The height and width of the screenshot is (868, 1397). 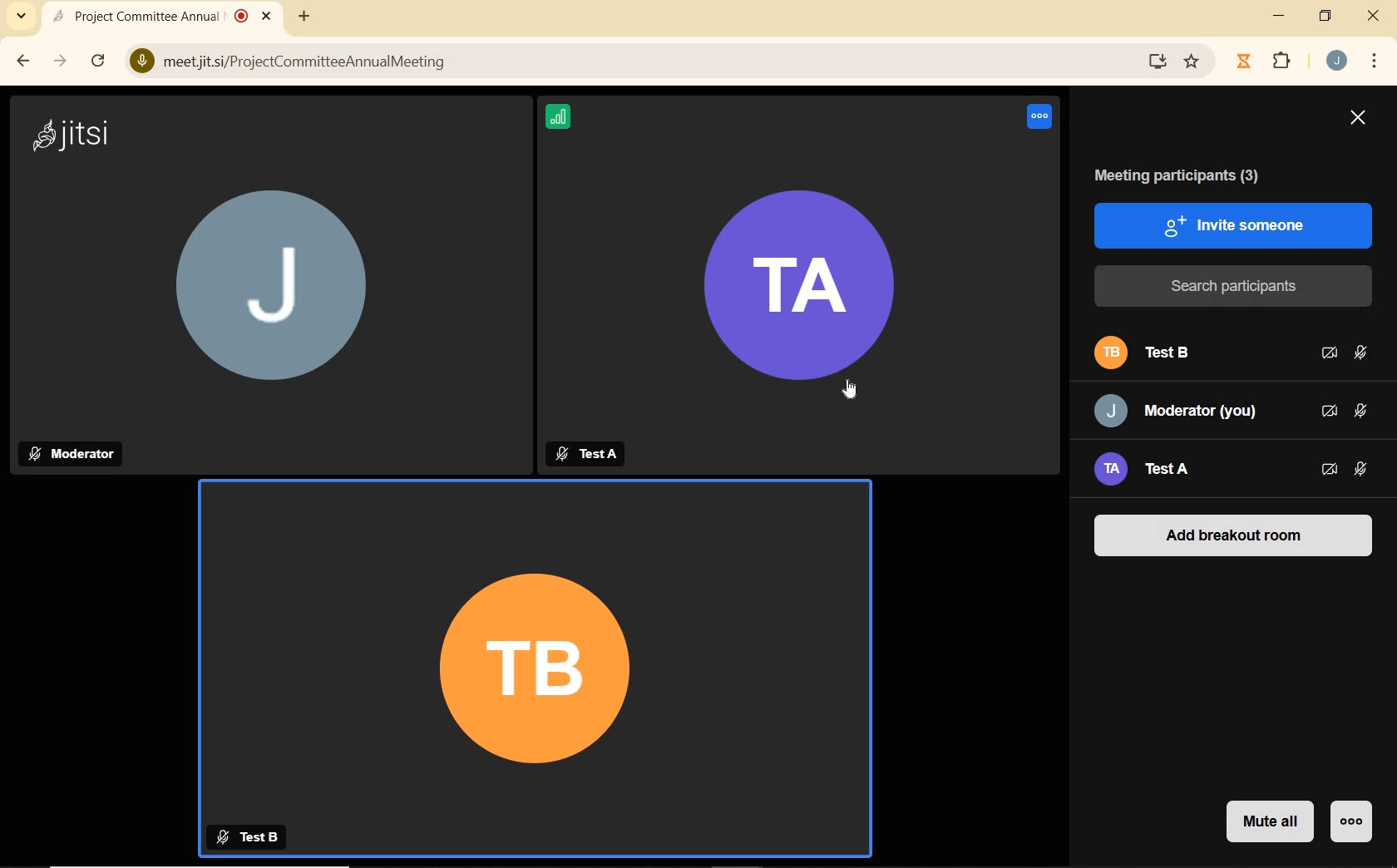 I want to click on BACK, so click(x=24, y=62).